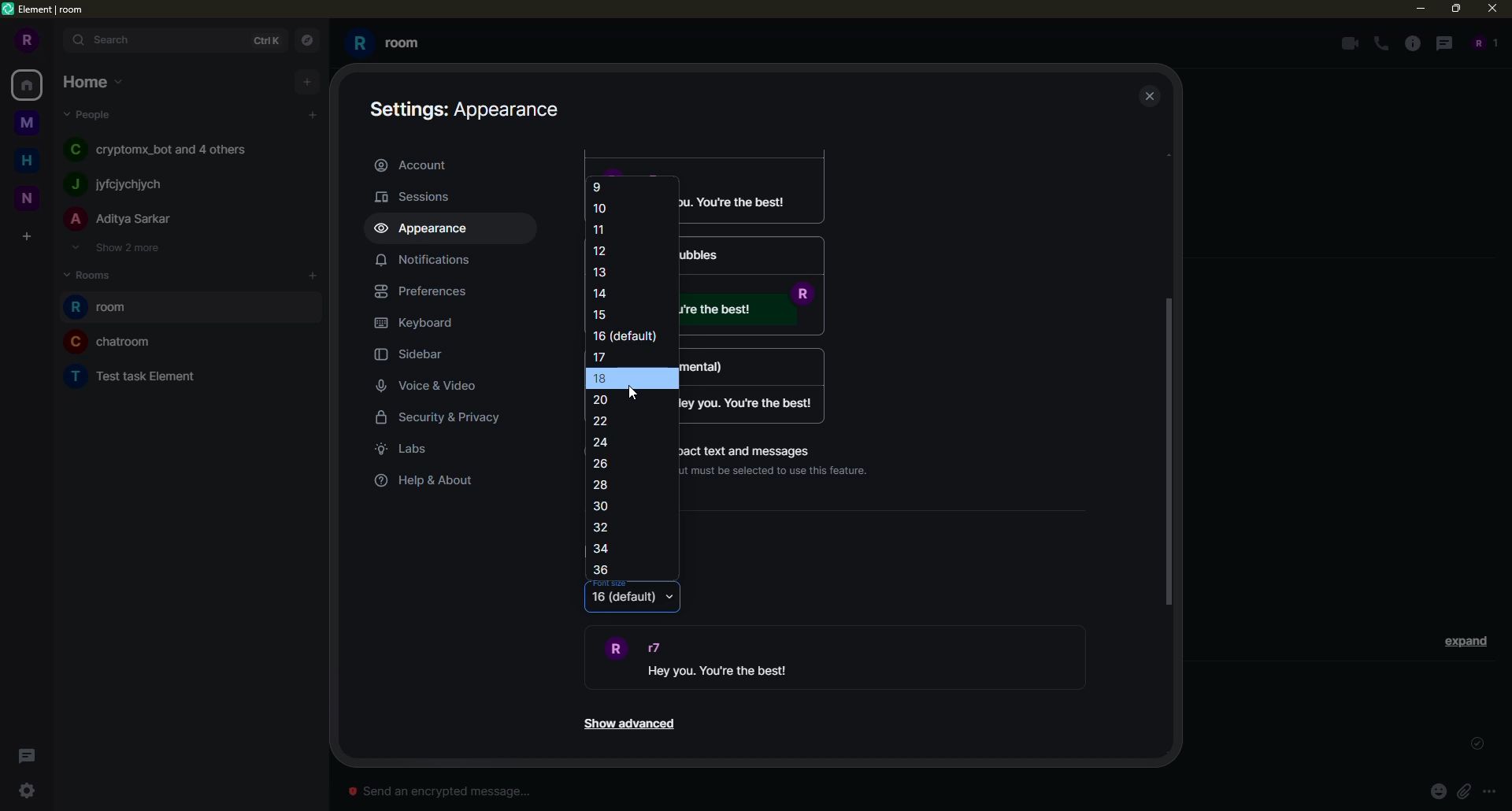  What do you see at coordinates (307, 80) in the screenshot?
I see `add` at bounding box center [307, 80].